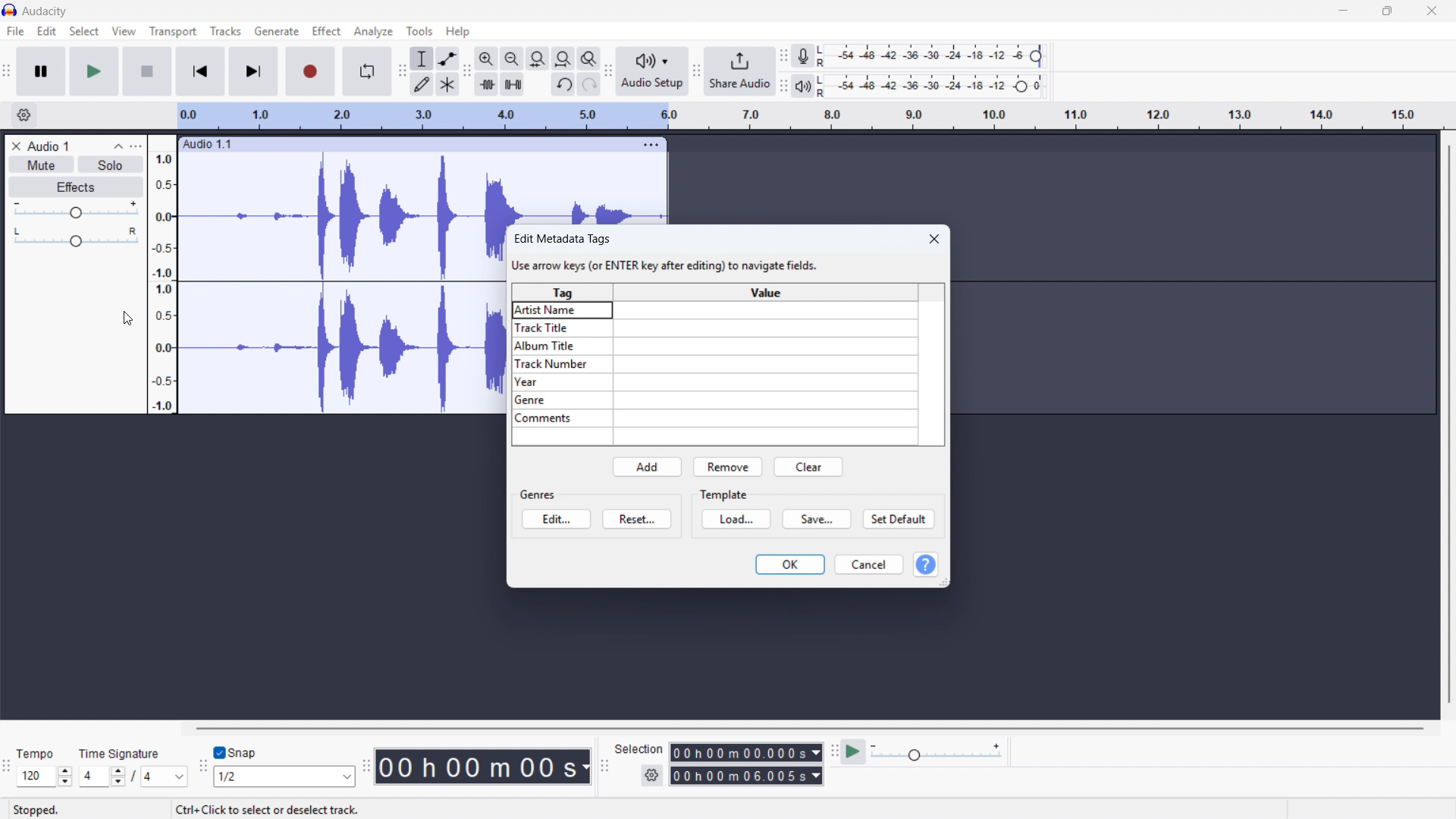  What do you see at coordinates (148, 71) in the screenshot?
I see `stop` at bounding box center [148, 71].